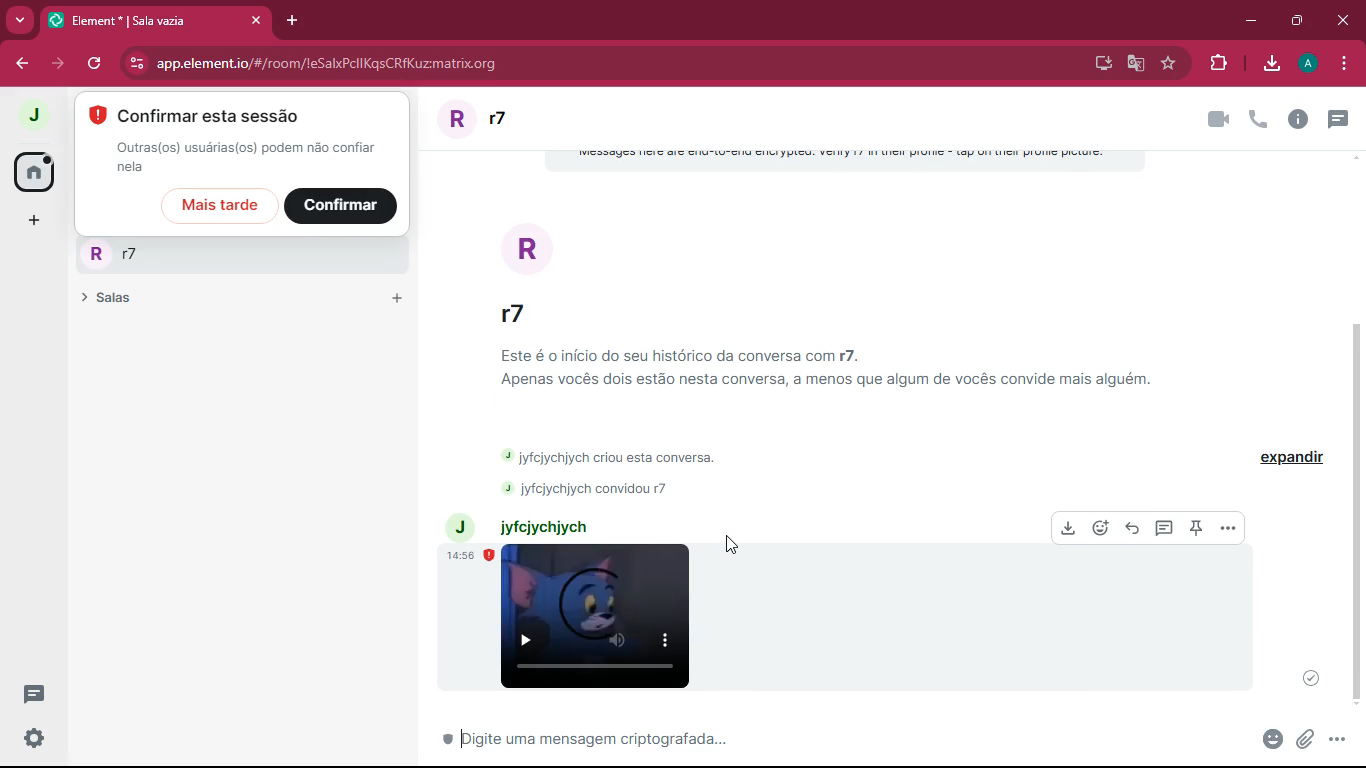  I want to click on info, so click(1221, 120).